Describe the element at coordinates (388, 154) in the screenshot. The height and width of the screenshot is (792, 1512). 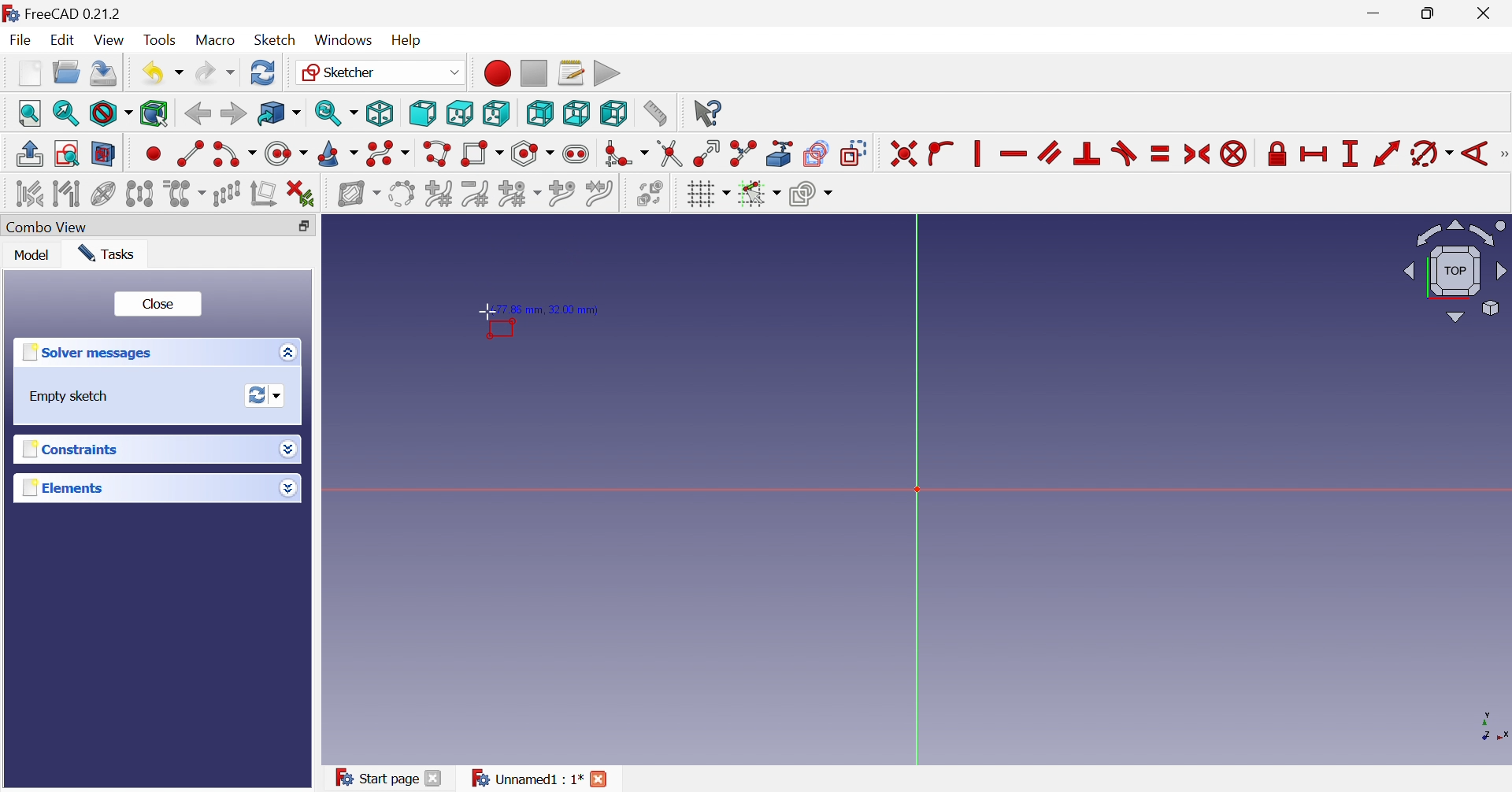
I see `Create B-spline` at that location.